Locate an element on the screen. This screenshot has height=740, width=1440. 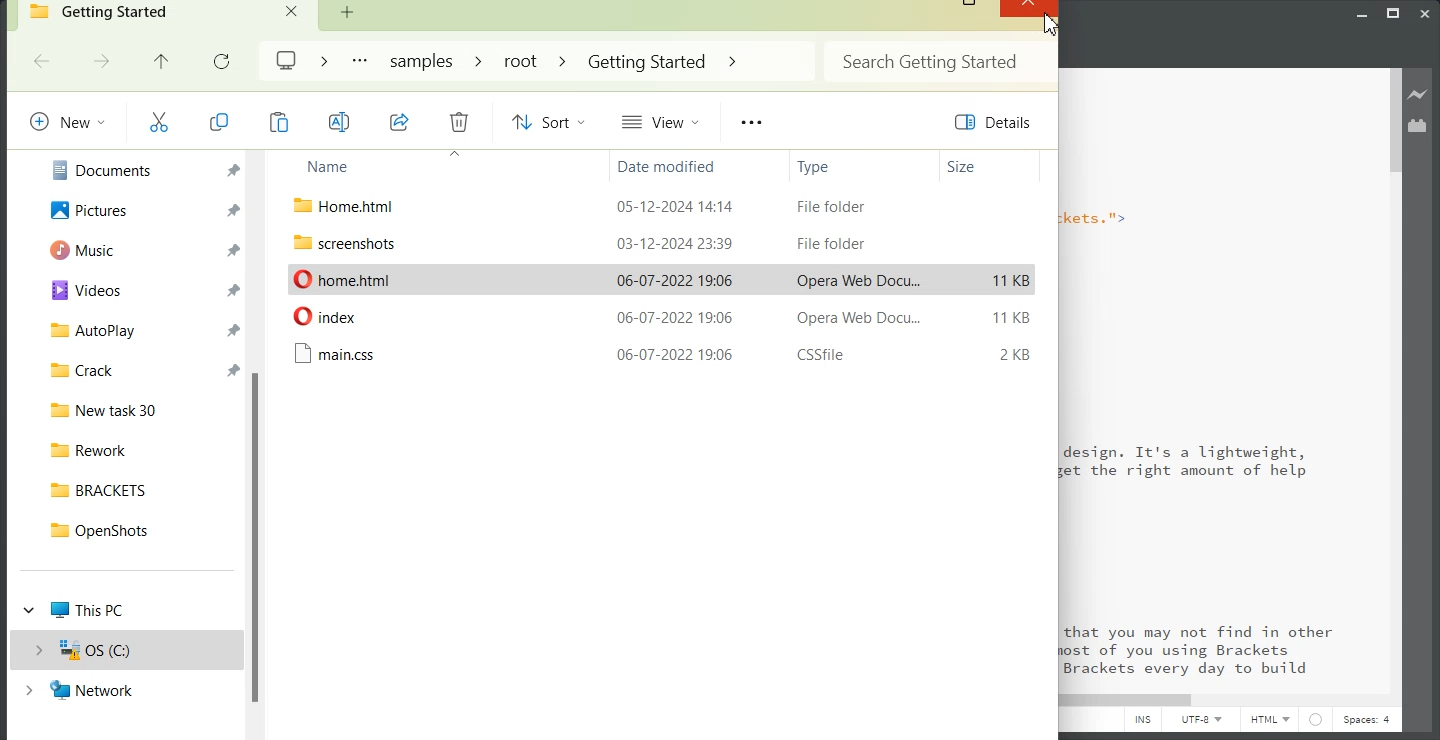
Text 2 is located at coordinates (1214, 380).